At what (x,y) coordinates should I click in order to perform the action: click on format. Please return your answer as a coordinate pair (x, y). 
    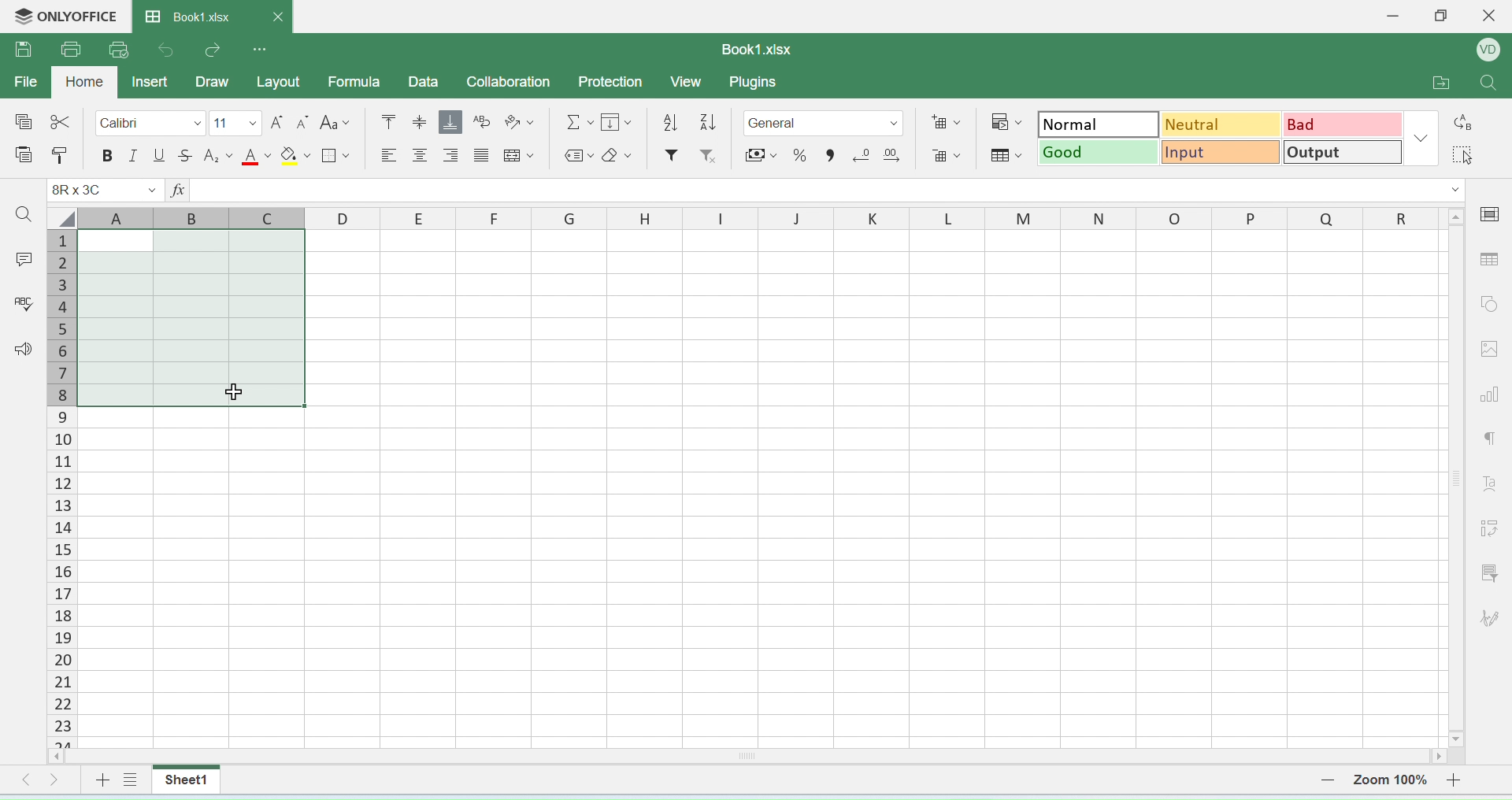
    Looking at the image, I should click on (824, 123).